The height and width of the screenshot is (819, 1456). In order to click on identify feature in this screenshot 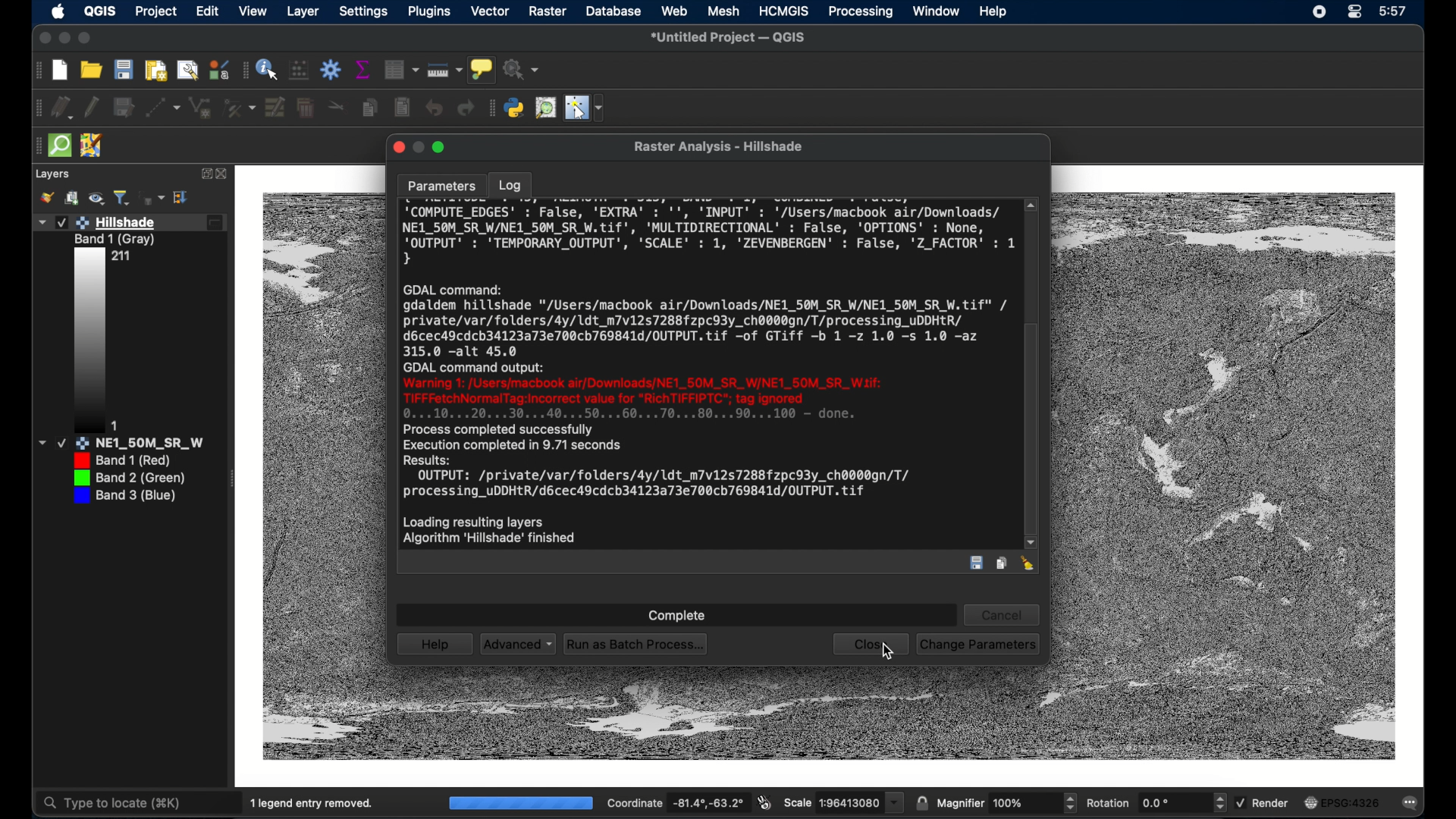, I will do `click(268, 69)`.